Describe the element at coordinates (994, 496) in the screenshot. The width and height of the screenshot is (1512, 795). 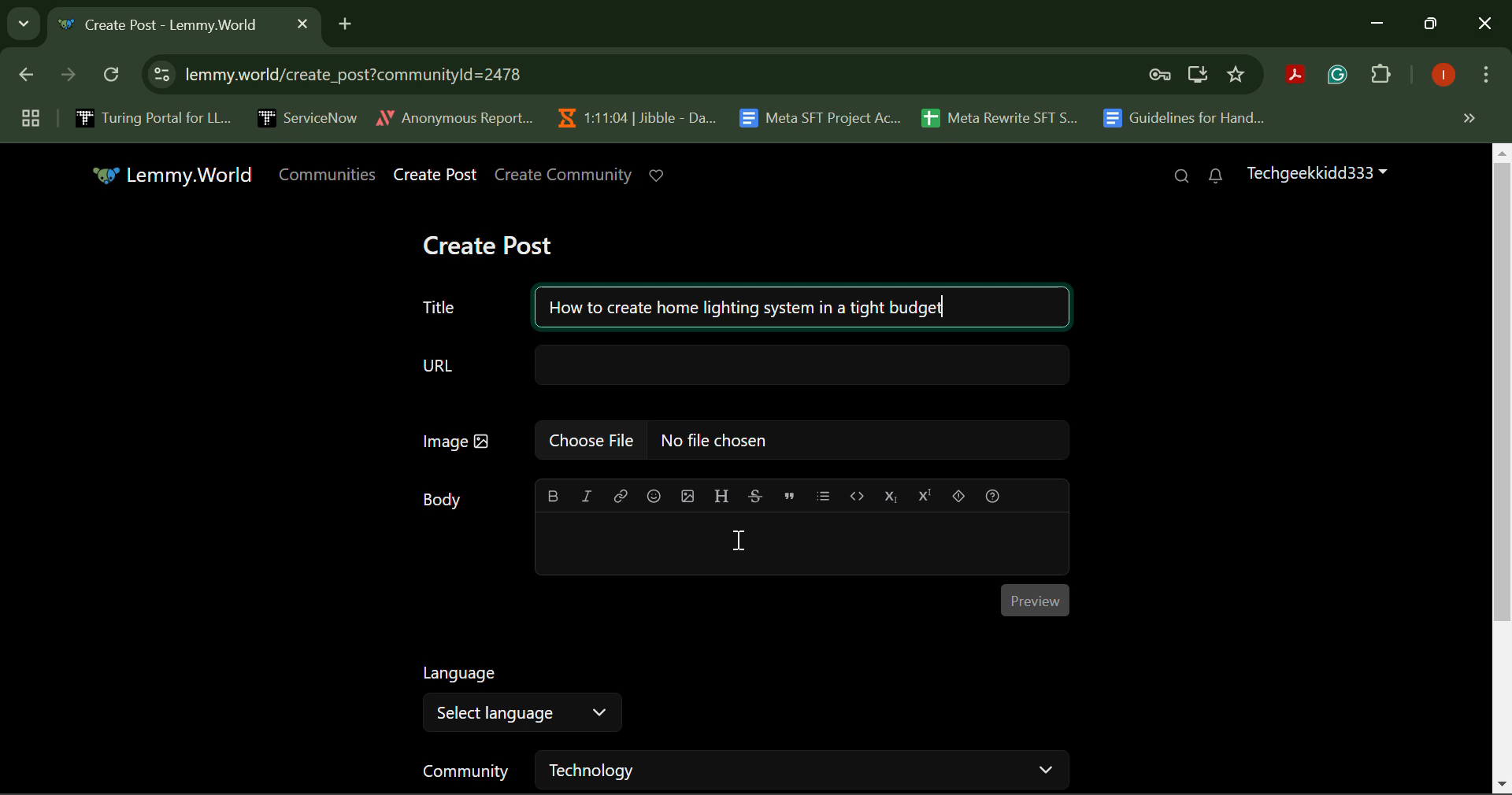
I see `formatting help` at that location.